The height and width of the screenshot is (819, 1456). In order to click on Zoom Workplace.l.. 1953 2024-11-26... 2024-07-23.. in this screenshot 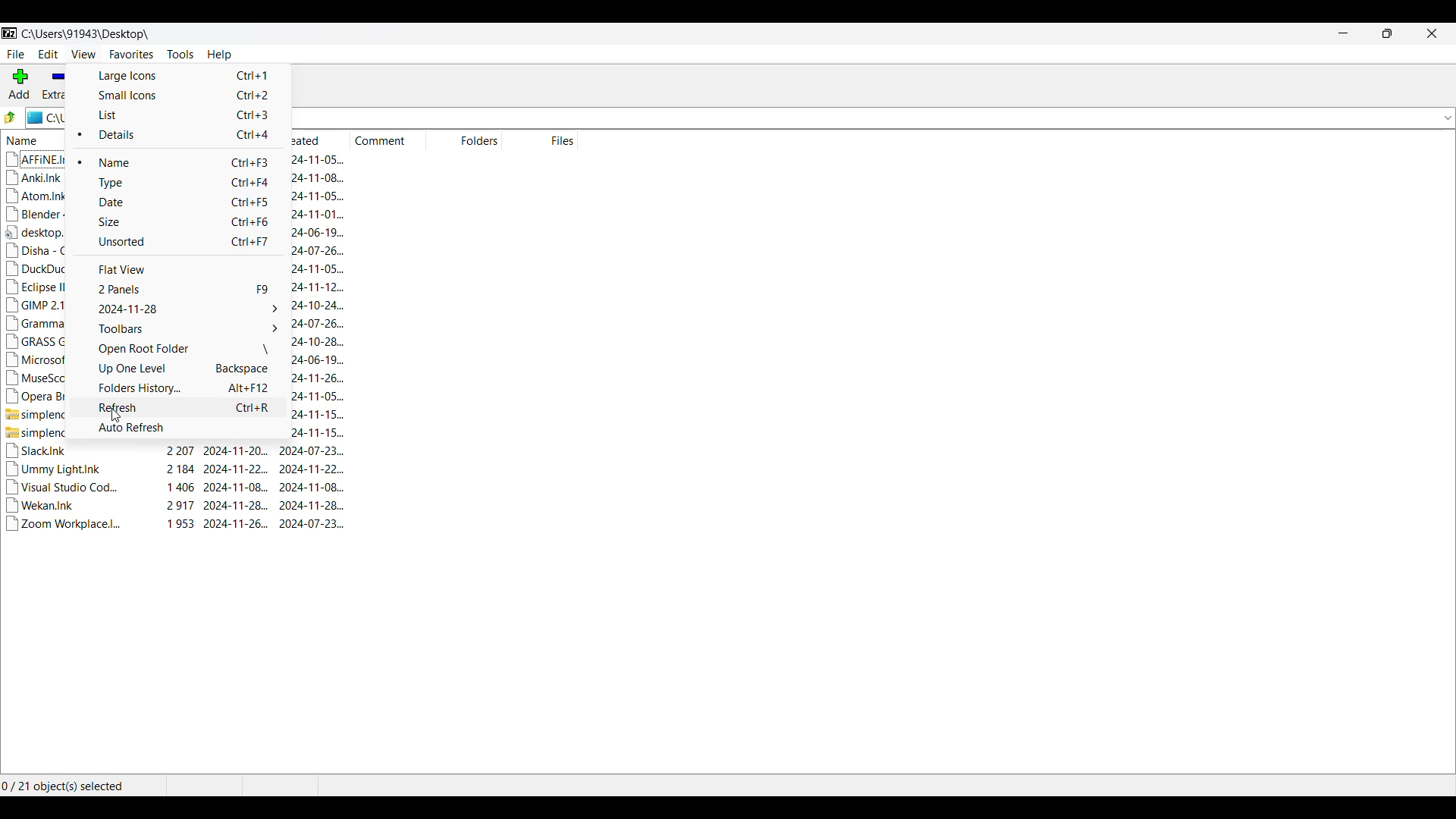, I will do `click(180, 529)`.